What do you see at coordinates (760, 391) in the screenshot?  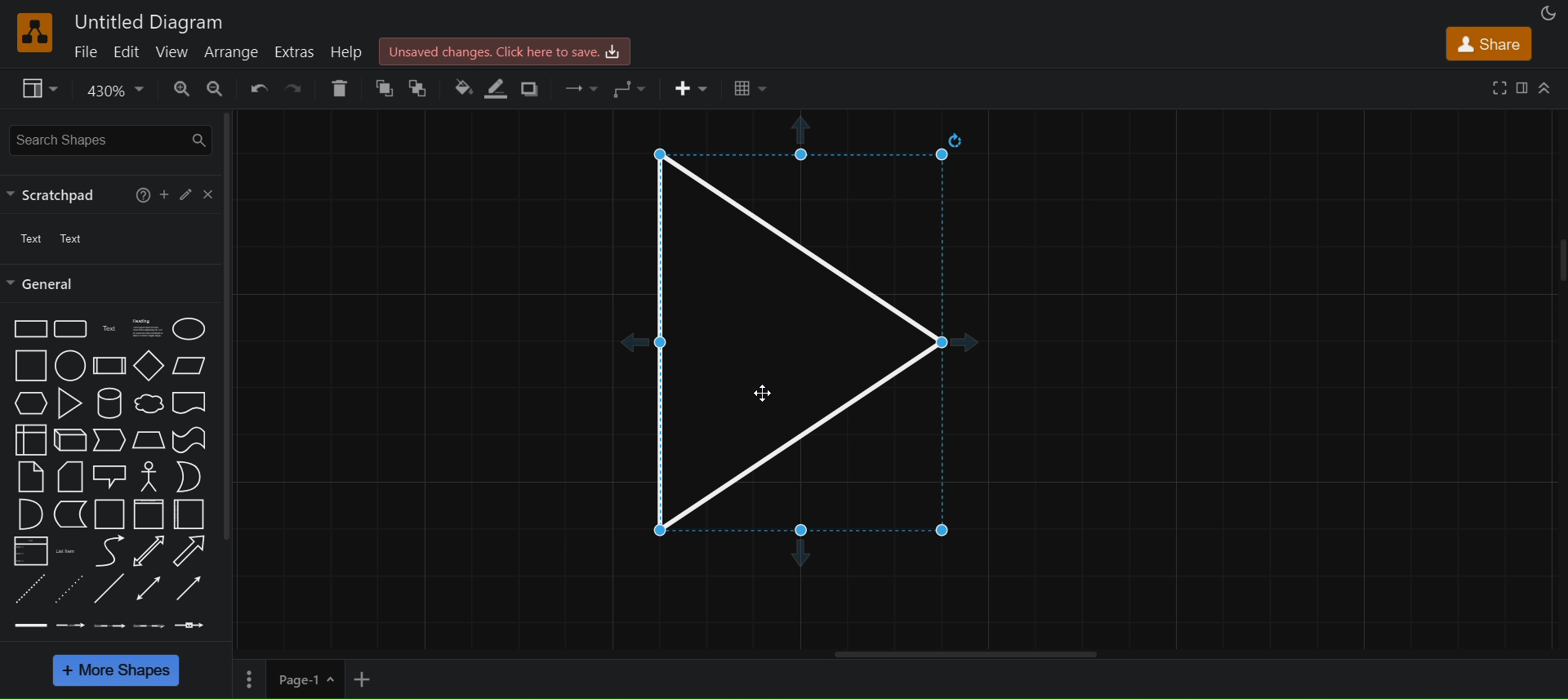 I see `Cursor` at bounding box center [760, 391].